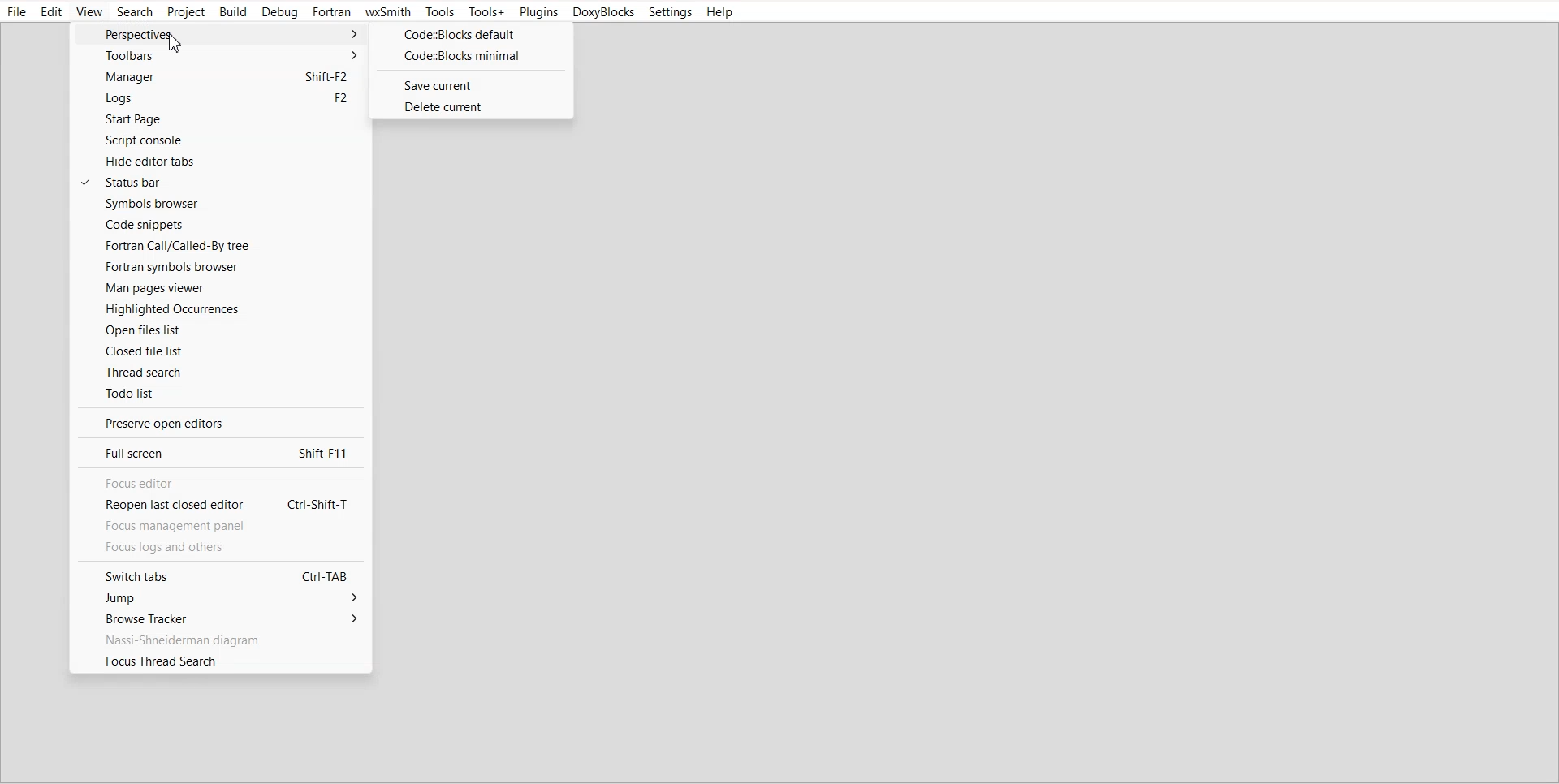 The image size is (1559, 784). What do you see at coordinates (218, 204) in the screenshot?
I see `Symbol browser` at bounding box center [218, 204].